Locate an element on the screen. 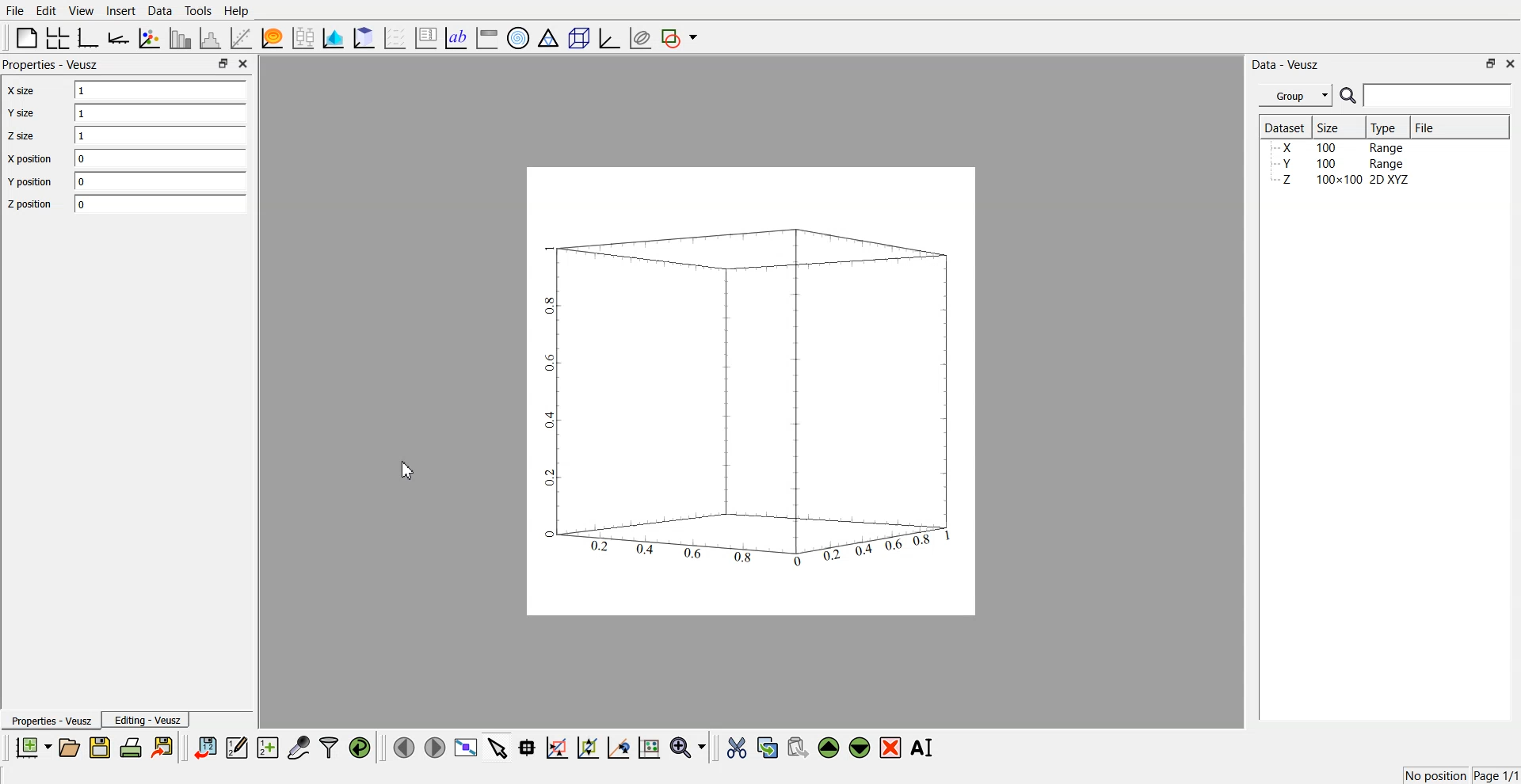 The width and height of the screenshot is (1521, 784). Add shape to the plot is located at coordinates (680, 38).